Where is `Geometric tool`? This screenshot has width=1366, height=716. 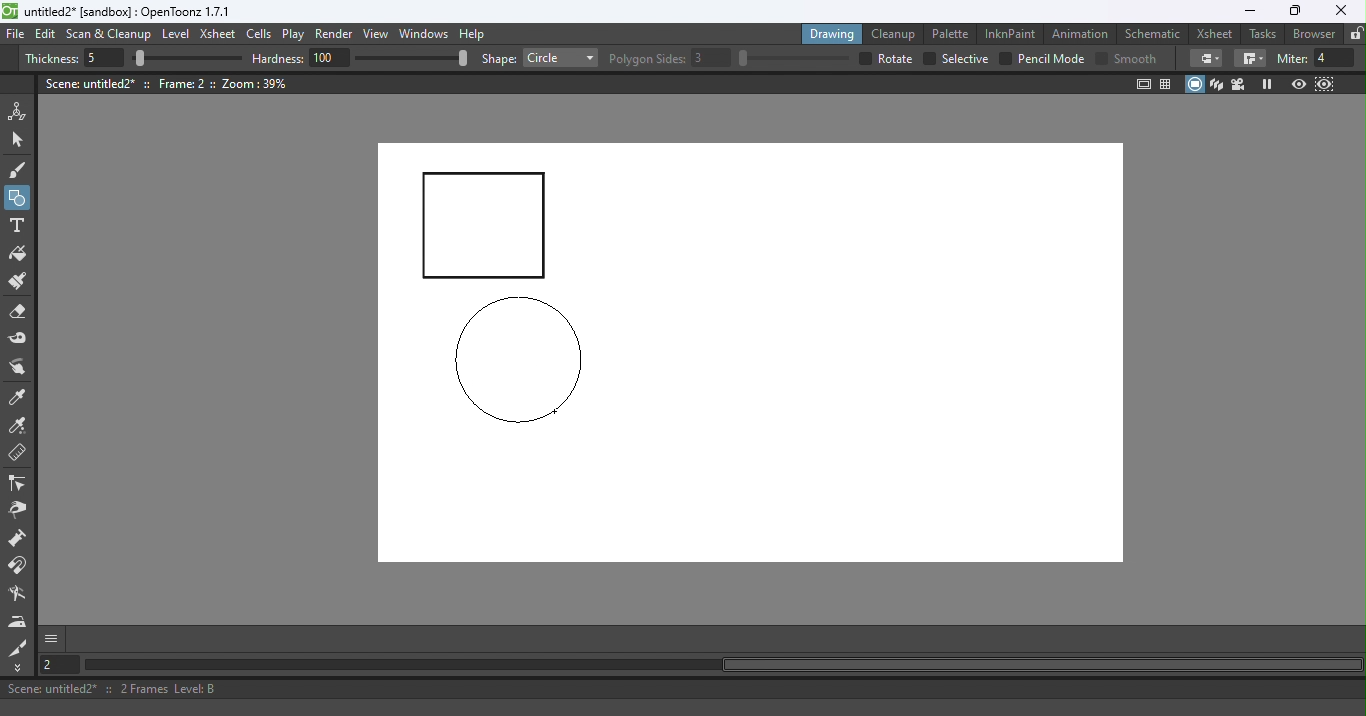
Geometric tool is located at coordinates (19, 198).